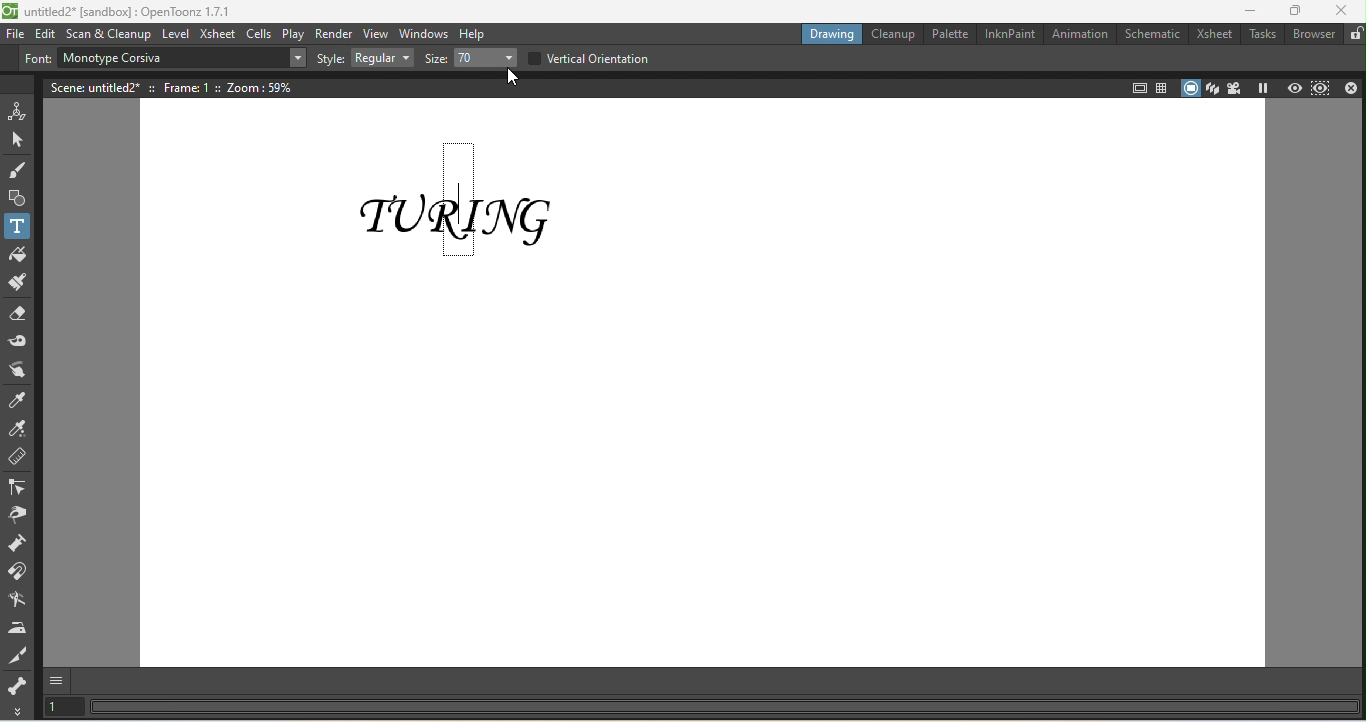 The width and height of the screenshot is (1366, 722). What do you see at coordinates (333, 33) in the screenshot?
I see `Render` at bounding box center [333, 33].